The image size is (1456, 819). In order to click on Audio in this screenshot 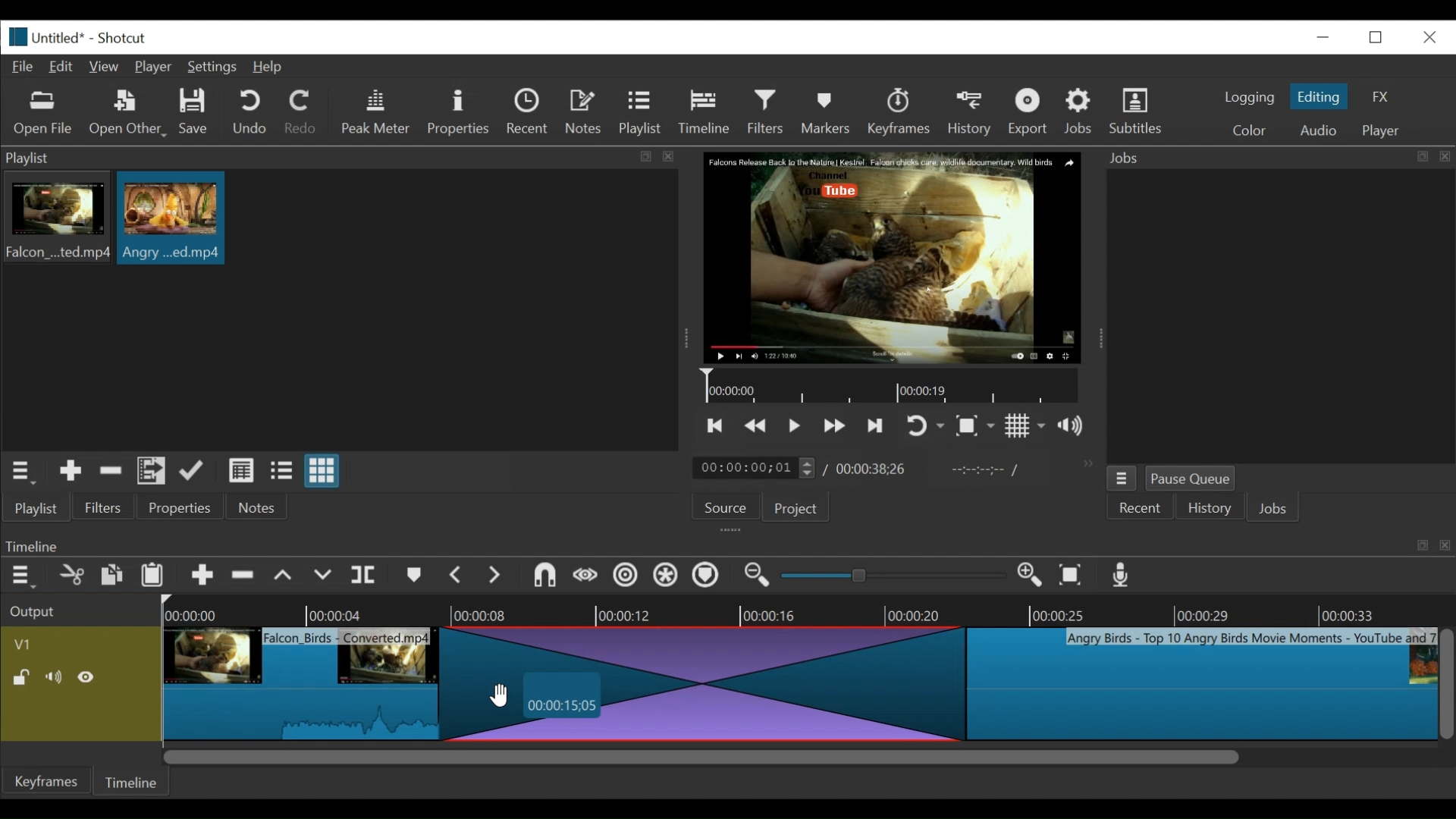, I will do `click(1317, 130)`.